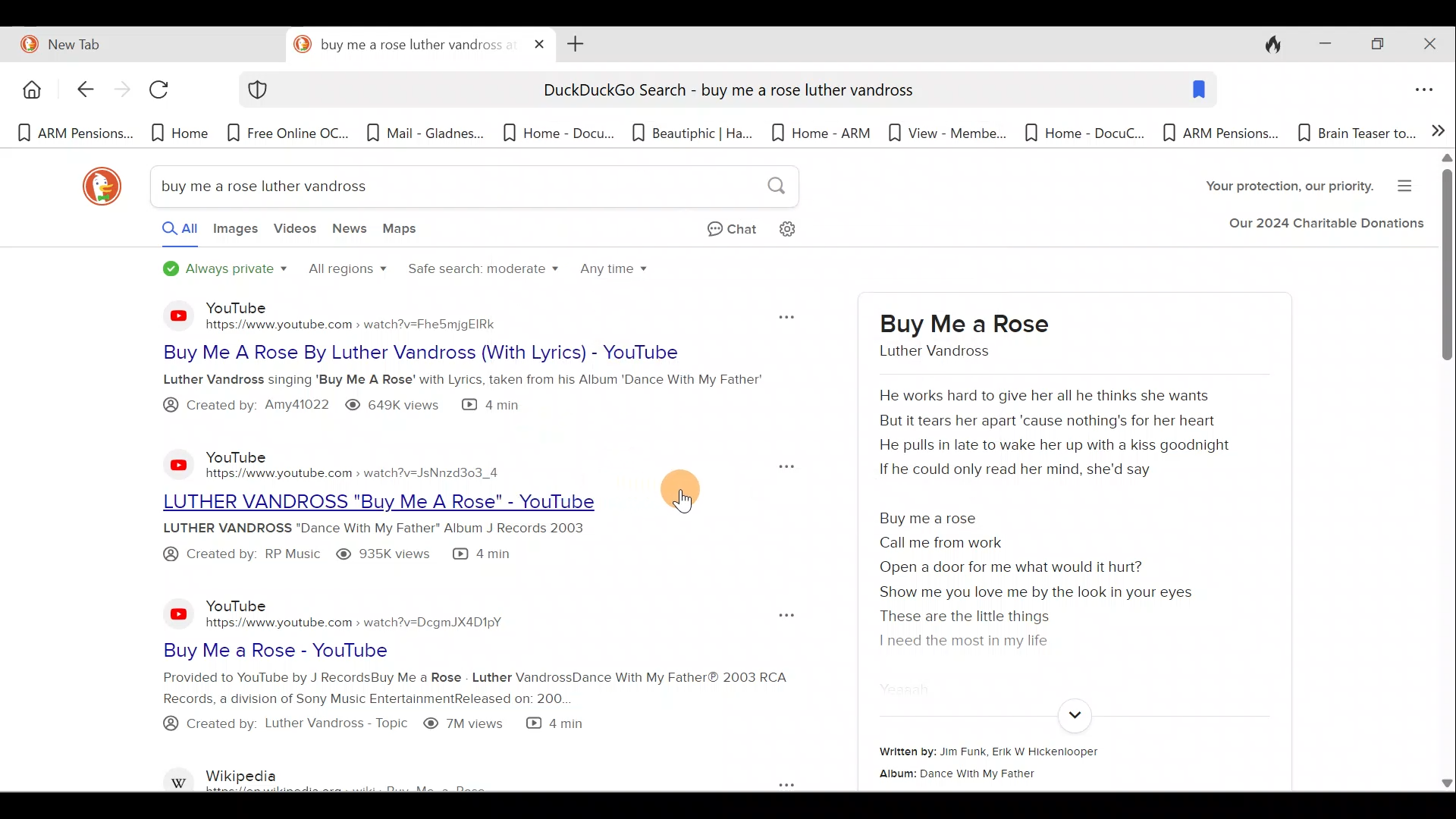 The width and height of the screenshot is (1456, 819). What do you see at coordinates (540, 41) in the screenshot?
I see `Close tab` at bounding box center [540, 41].